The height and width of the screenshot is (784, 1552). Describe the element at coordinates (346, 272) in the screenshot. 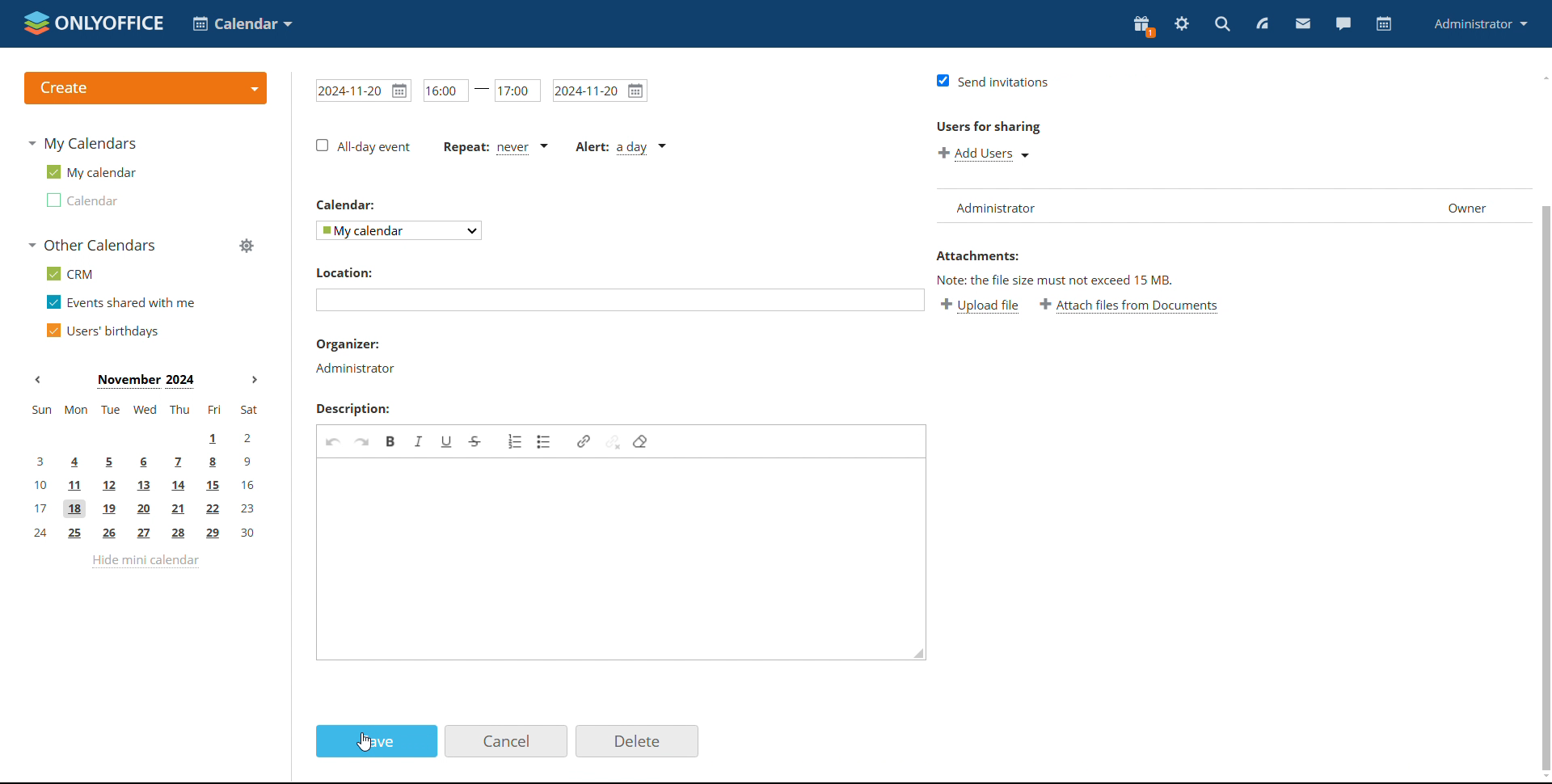

I see `Location` at that location.